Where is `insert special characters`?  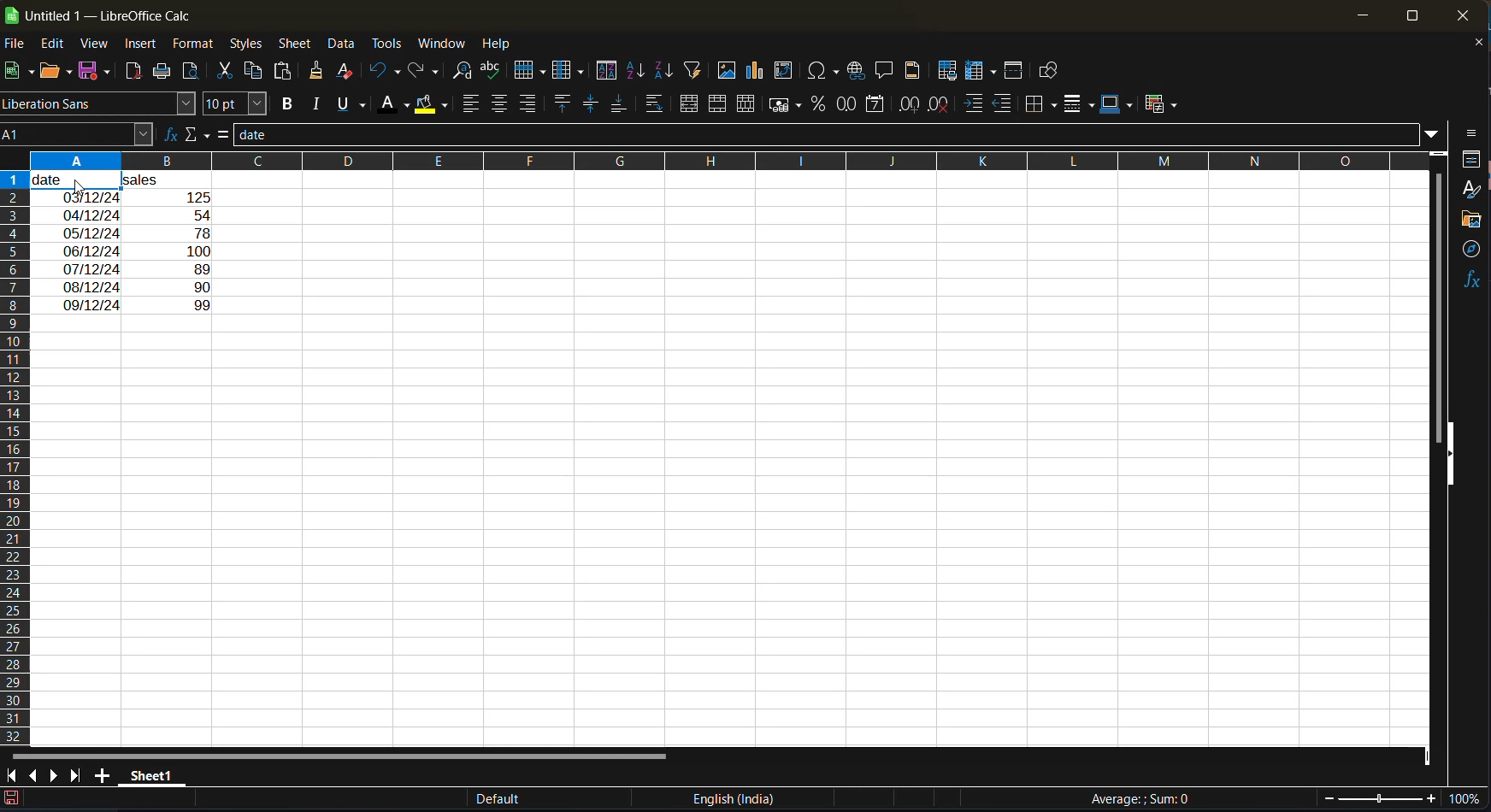 insert special characters is located at coordinates (824, 72).